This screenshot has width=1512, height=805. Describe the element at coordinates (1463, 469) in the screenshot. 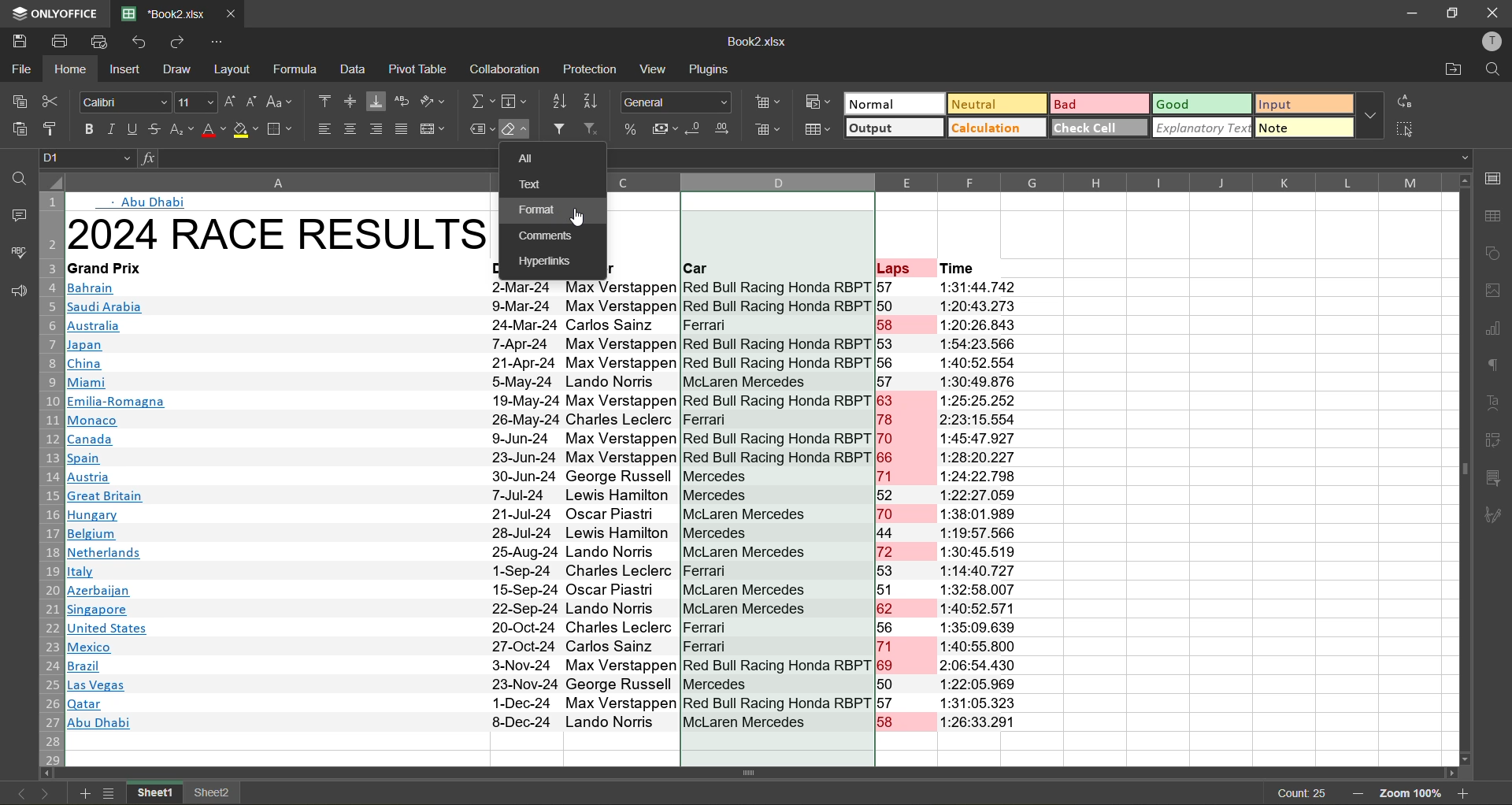

I see `vertical scrollbar` at that location.